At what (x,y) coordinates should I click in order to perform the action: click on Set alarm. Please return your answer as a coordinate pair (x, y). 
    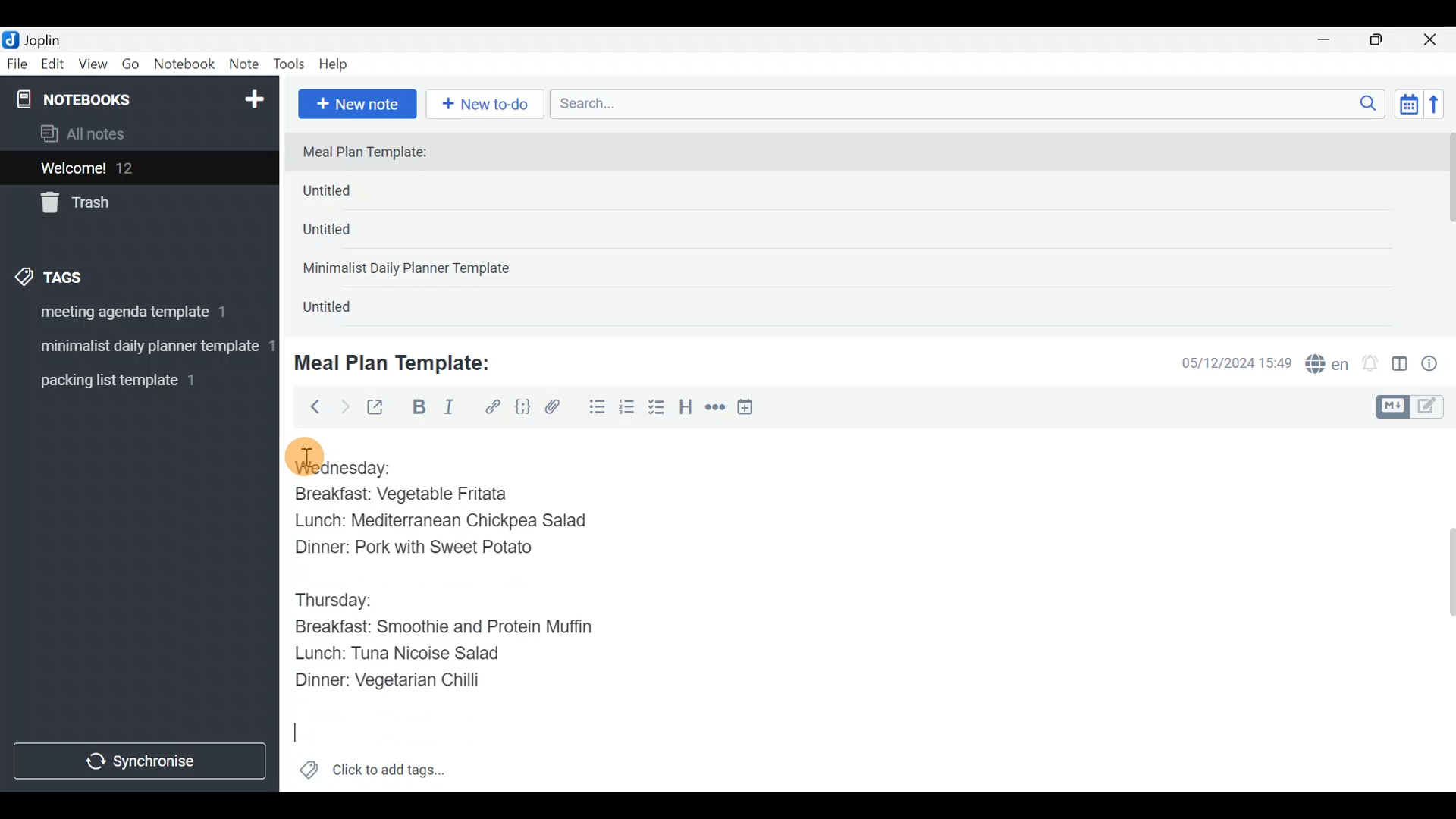
    Looking at the image, I should click on (1371, 365).